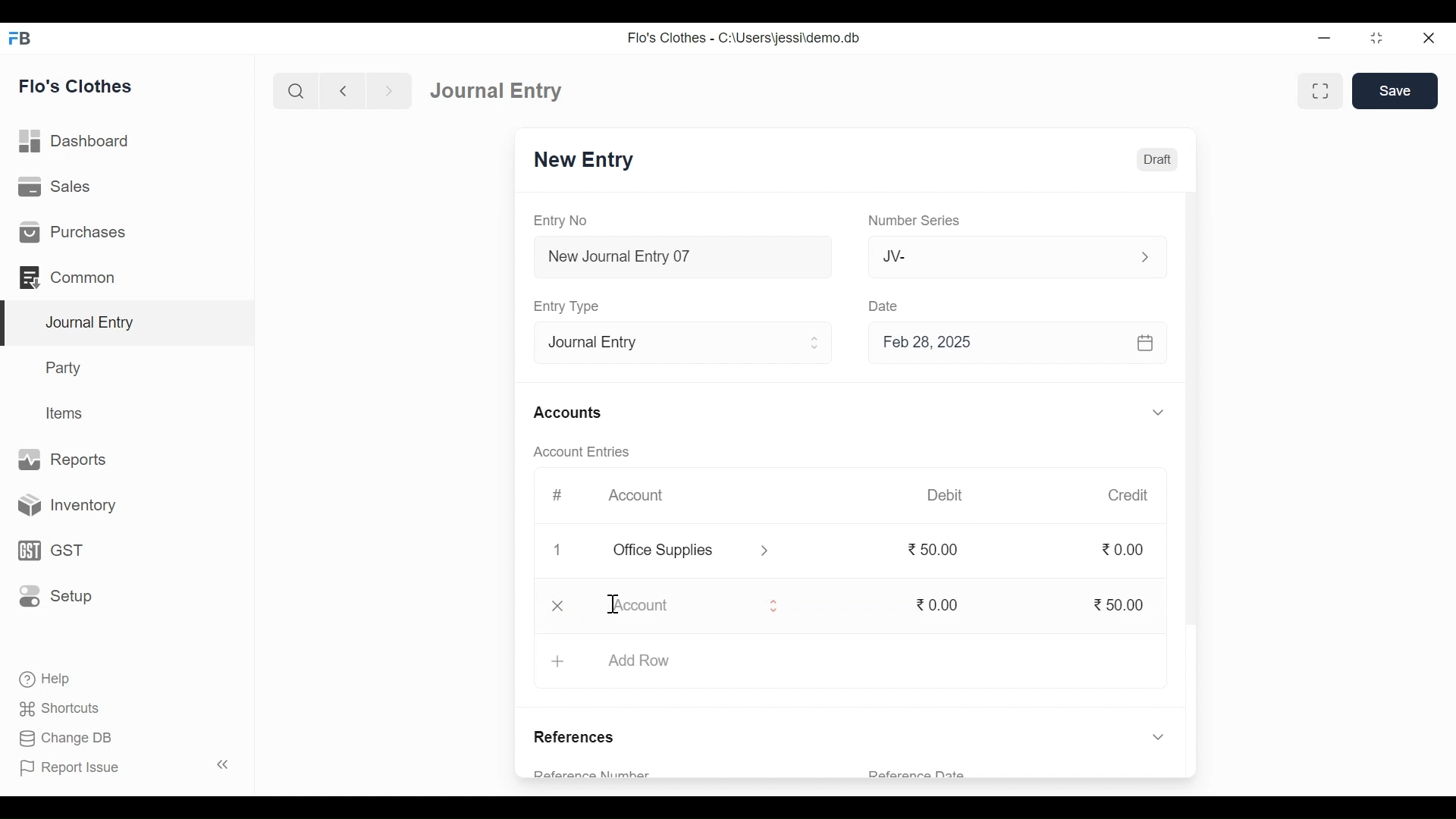  I want to click on New Entry, so click(588, 160).